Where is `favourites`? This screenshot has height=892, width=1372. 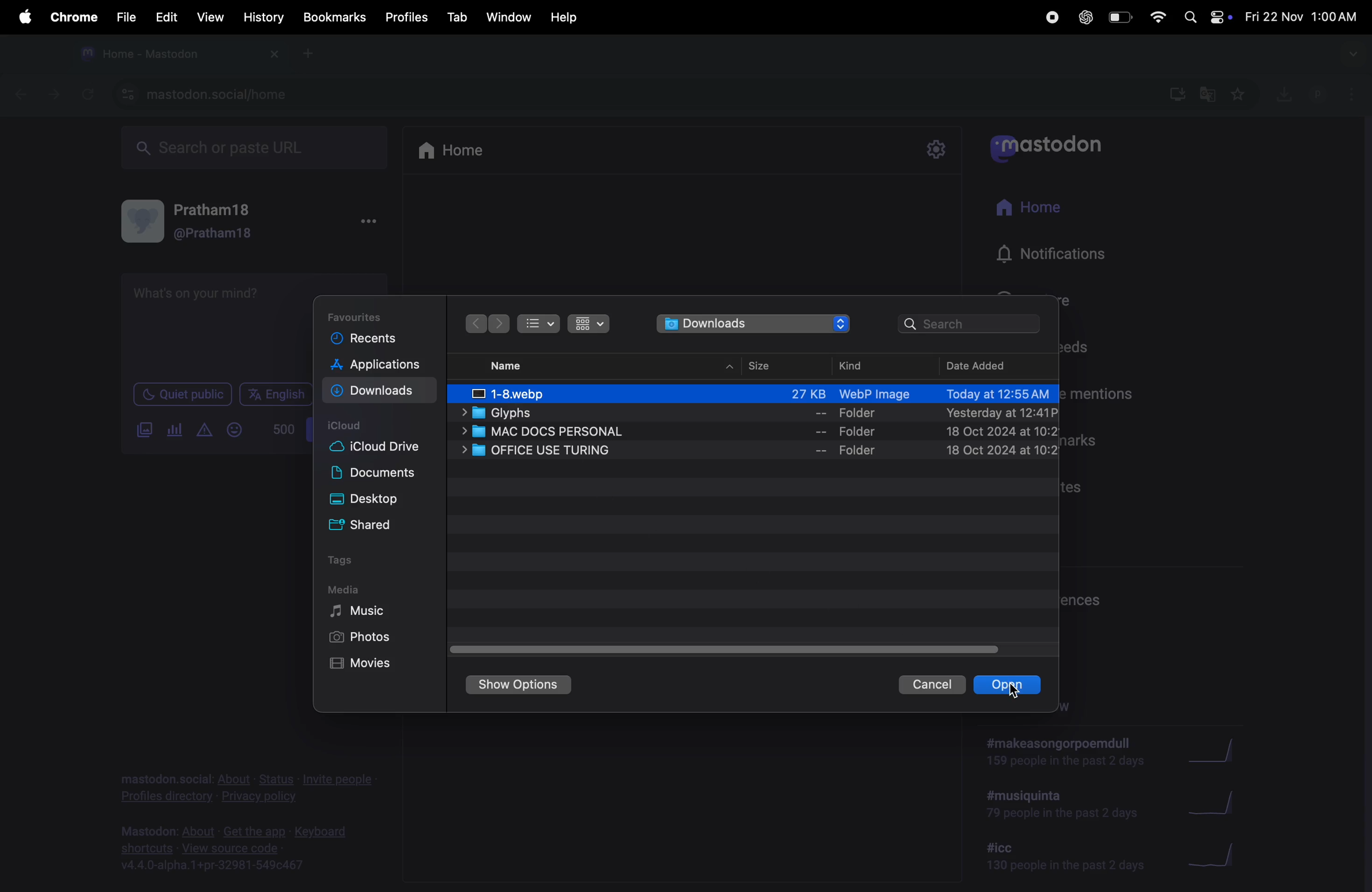 favourites is located at coordinates (360, 314).